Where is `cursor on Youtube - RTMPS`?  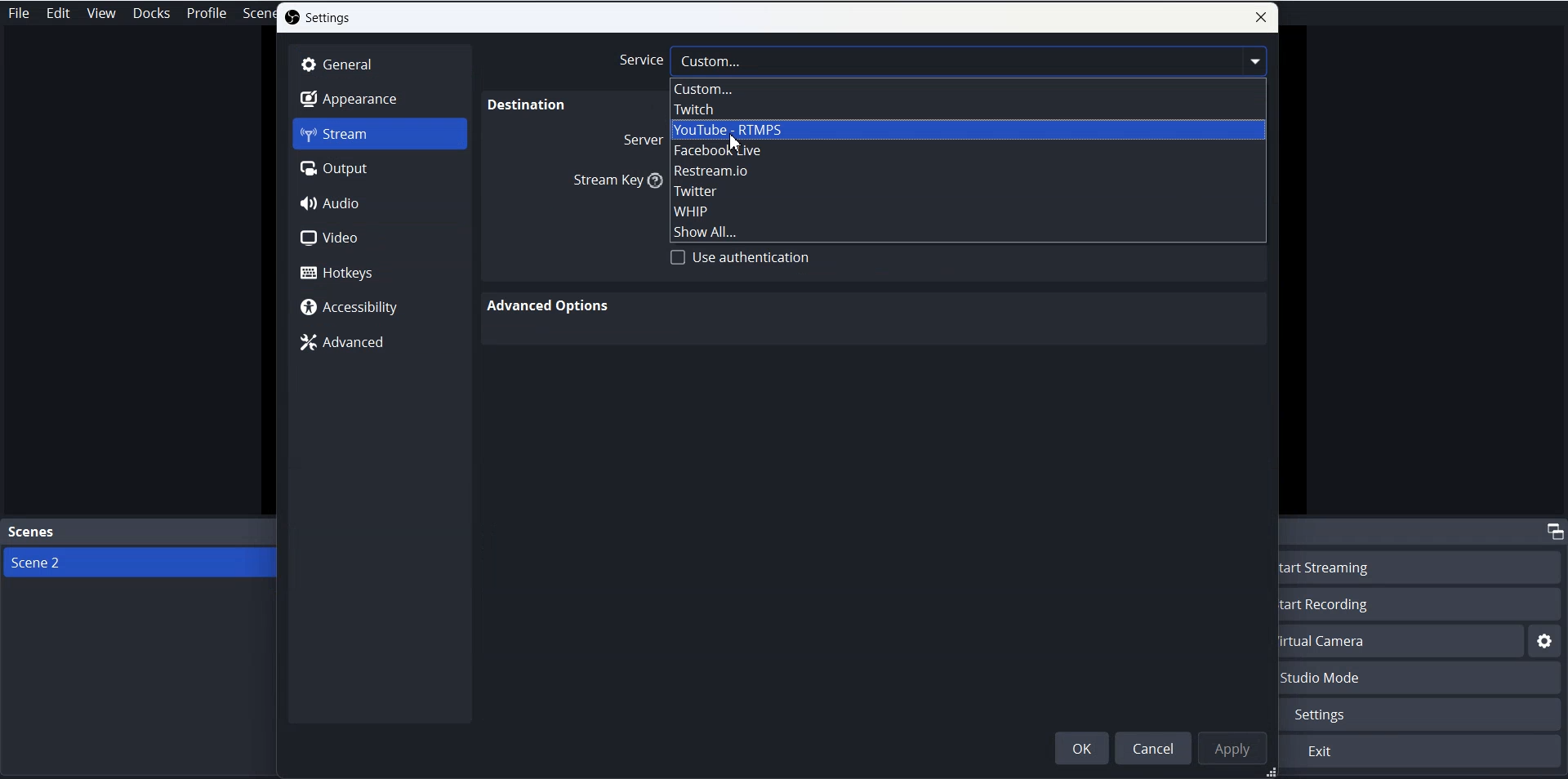 cursor on Youtube - RTMPS is located at coordinates (738, 141).